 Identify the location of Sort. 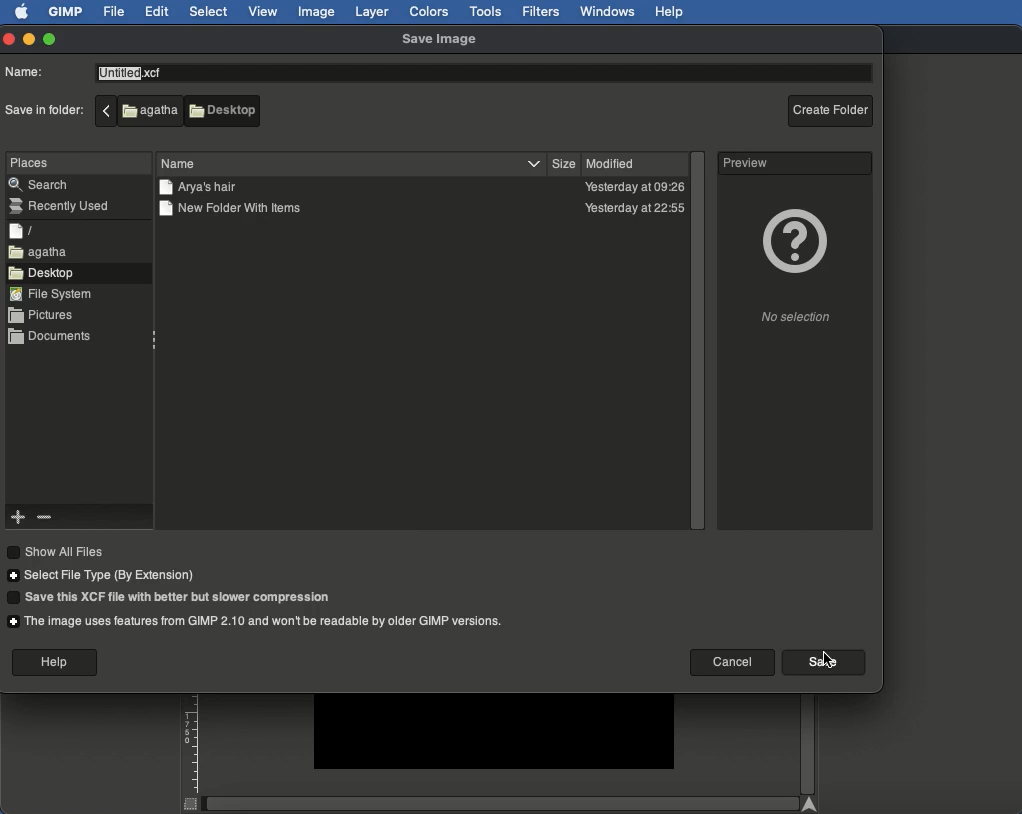
(532, 162).